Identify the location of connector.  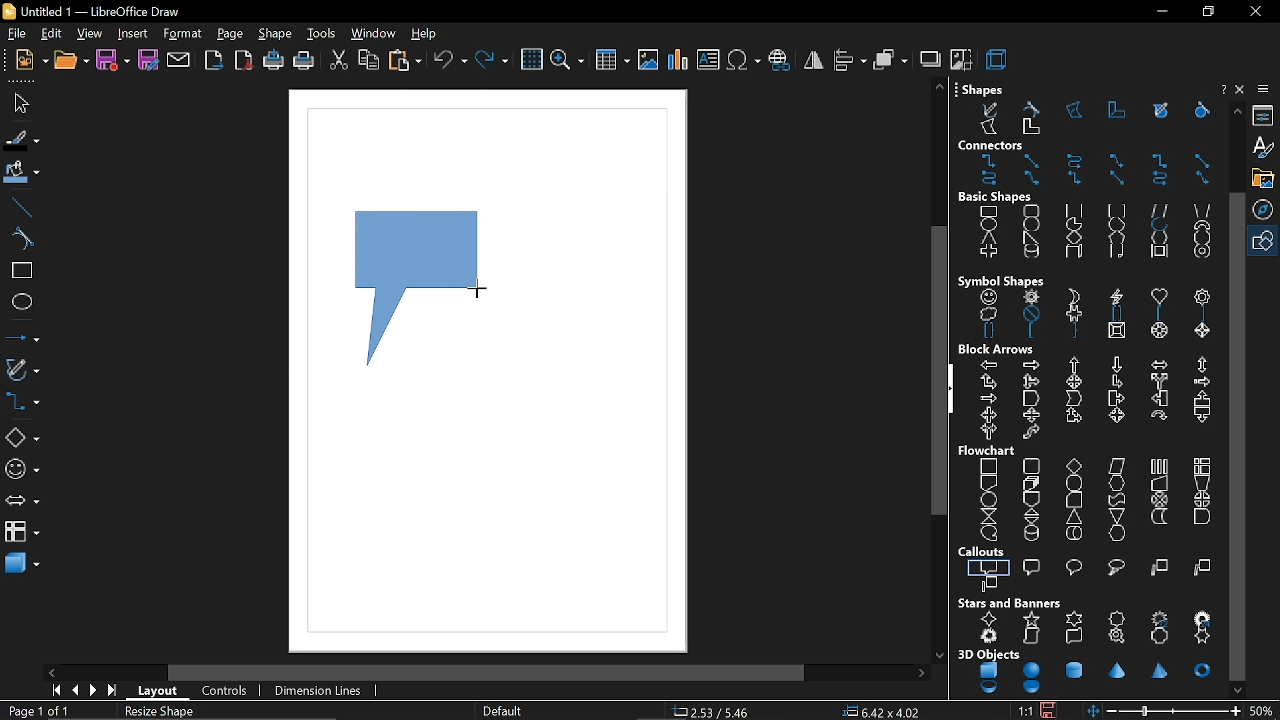
(1161, 161).